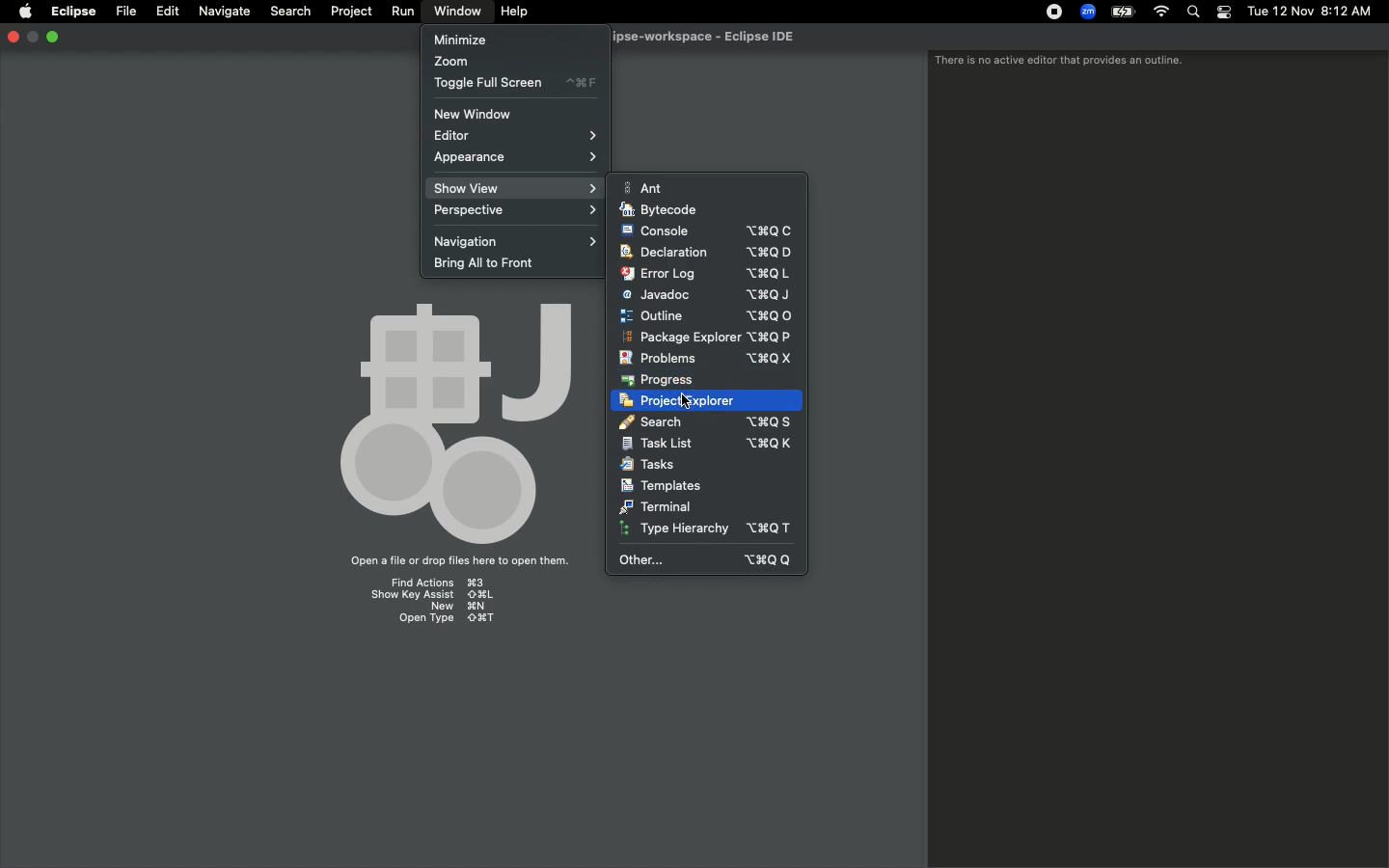  I want to click on Search, so click(289, 10).